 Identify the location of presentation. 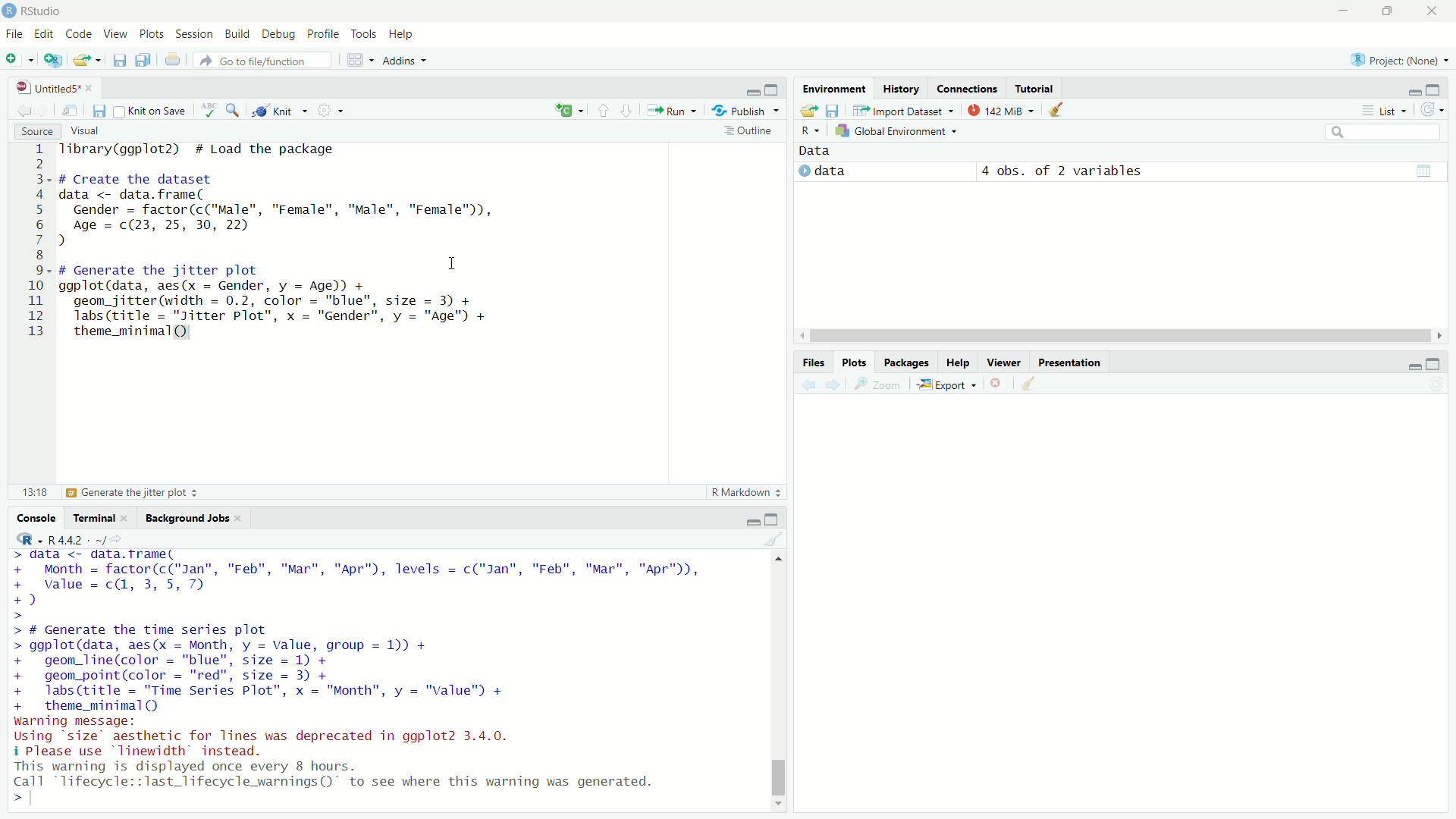
(1069, 362).